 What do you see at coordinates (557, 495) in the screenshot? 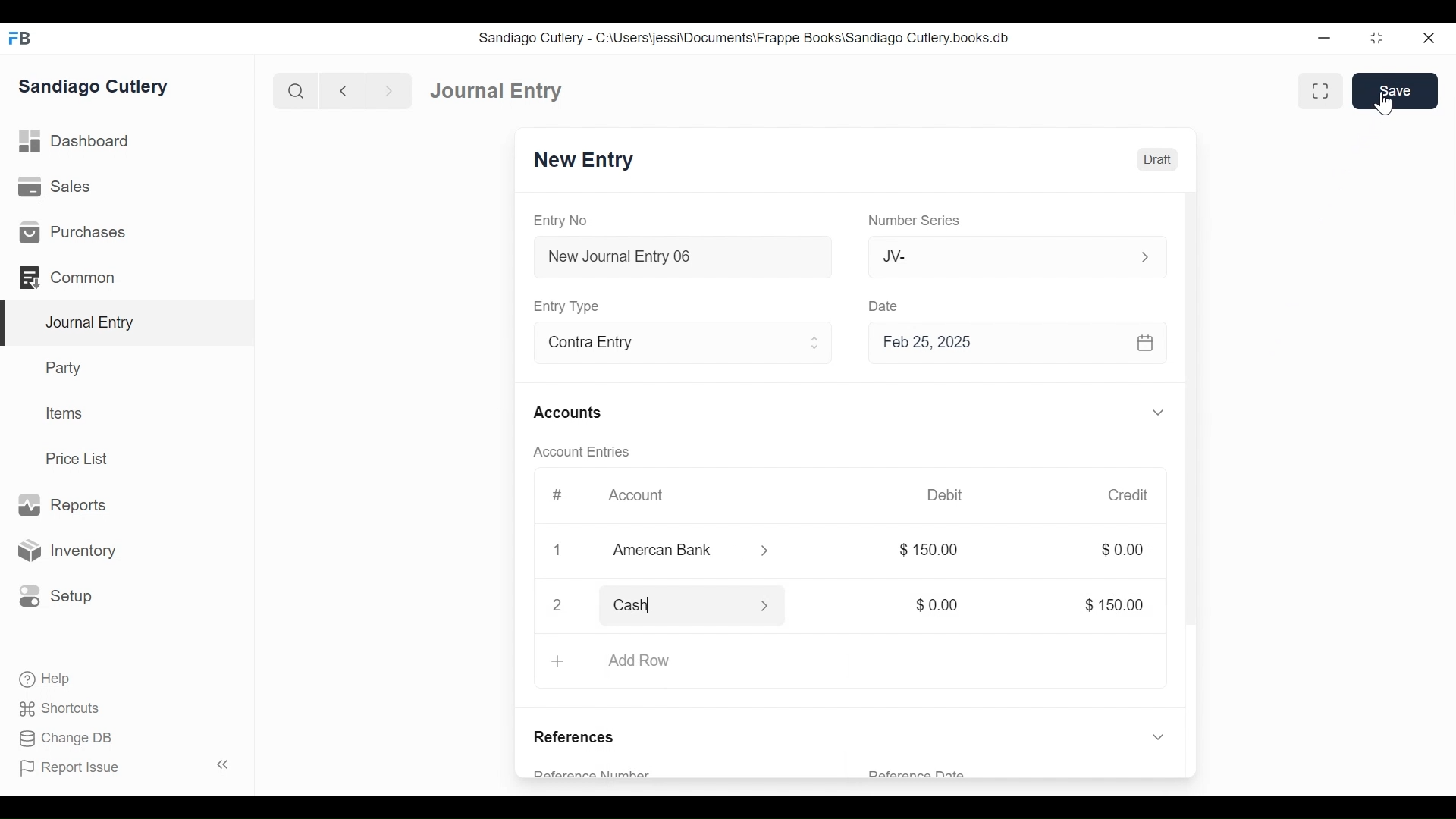
I see `#` at bounding box center [557, 495].